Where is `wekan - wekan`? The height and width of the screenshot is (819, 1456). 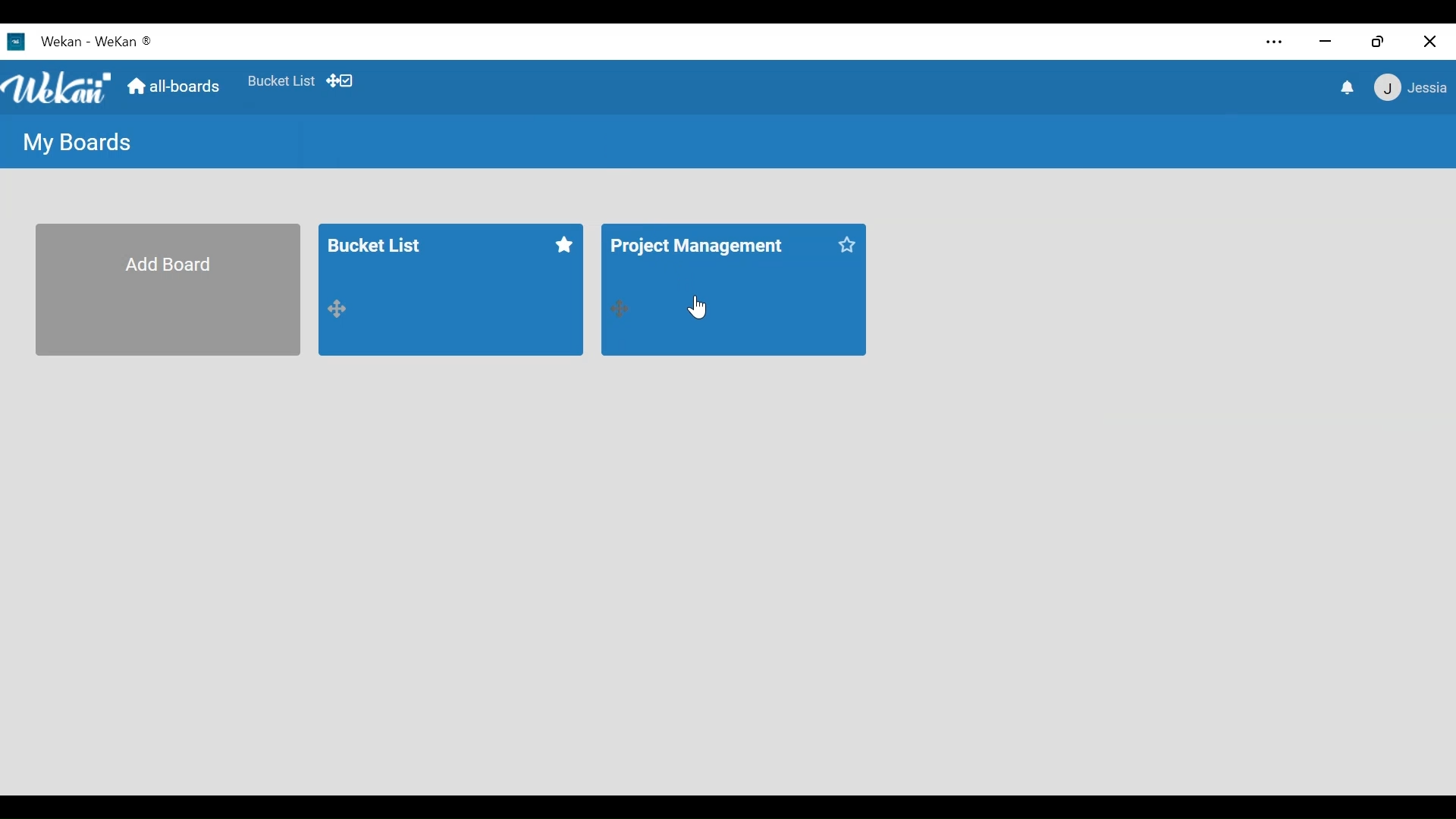
wekan - wekan is located at coordinates (101, 40).